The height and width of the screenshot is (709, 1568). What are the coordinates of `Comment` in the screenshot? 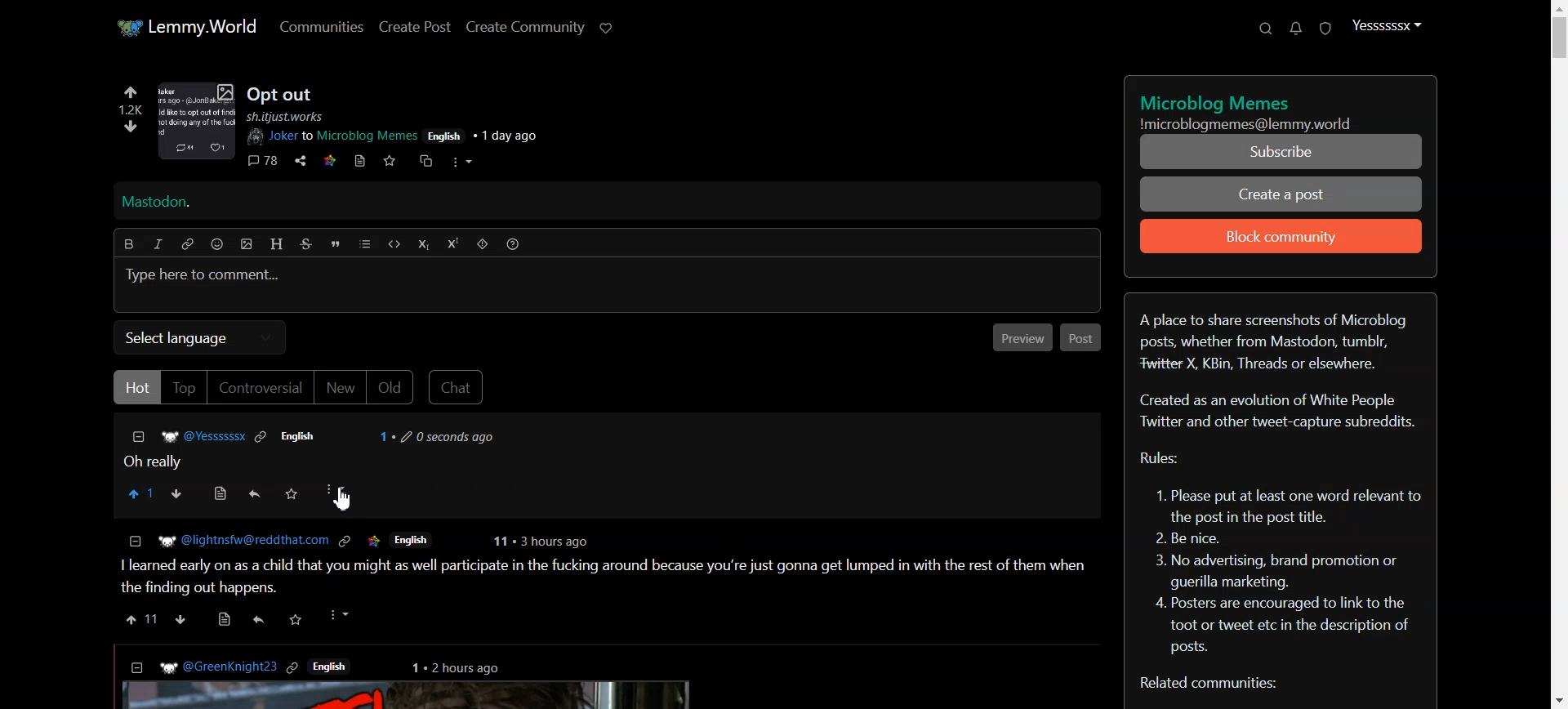 It's located at (327, 447).